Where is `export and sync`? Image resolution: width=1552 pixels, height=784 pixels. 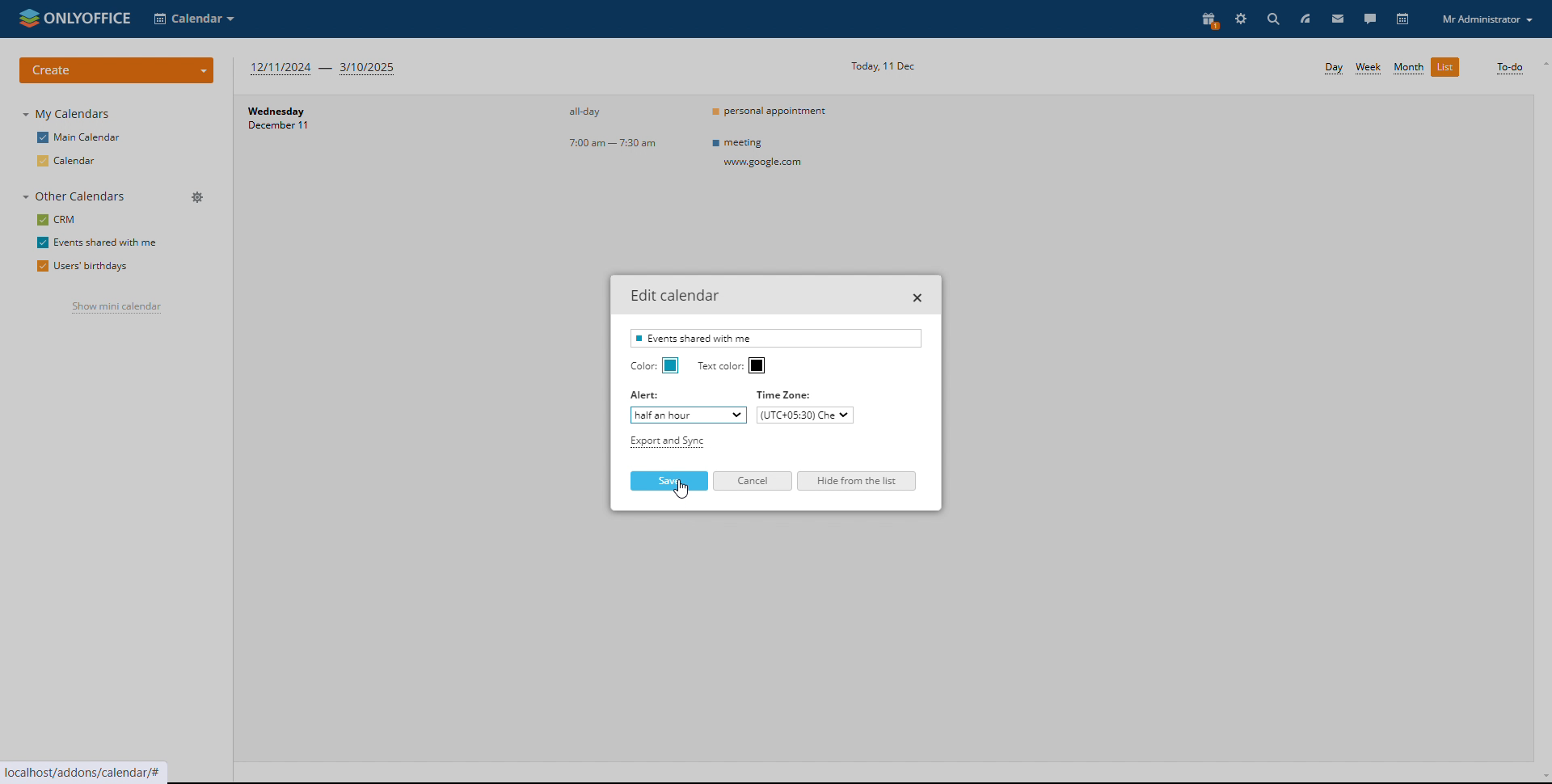
export and sync is located at coordinates (665, 442).